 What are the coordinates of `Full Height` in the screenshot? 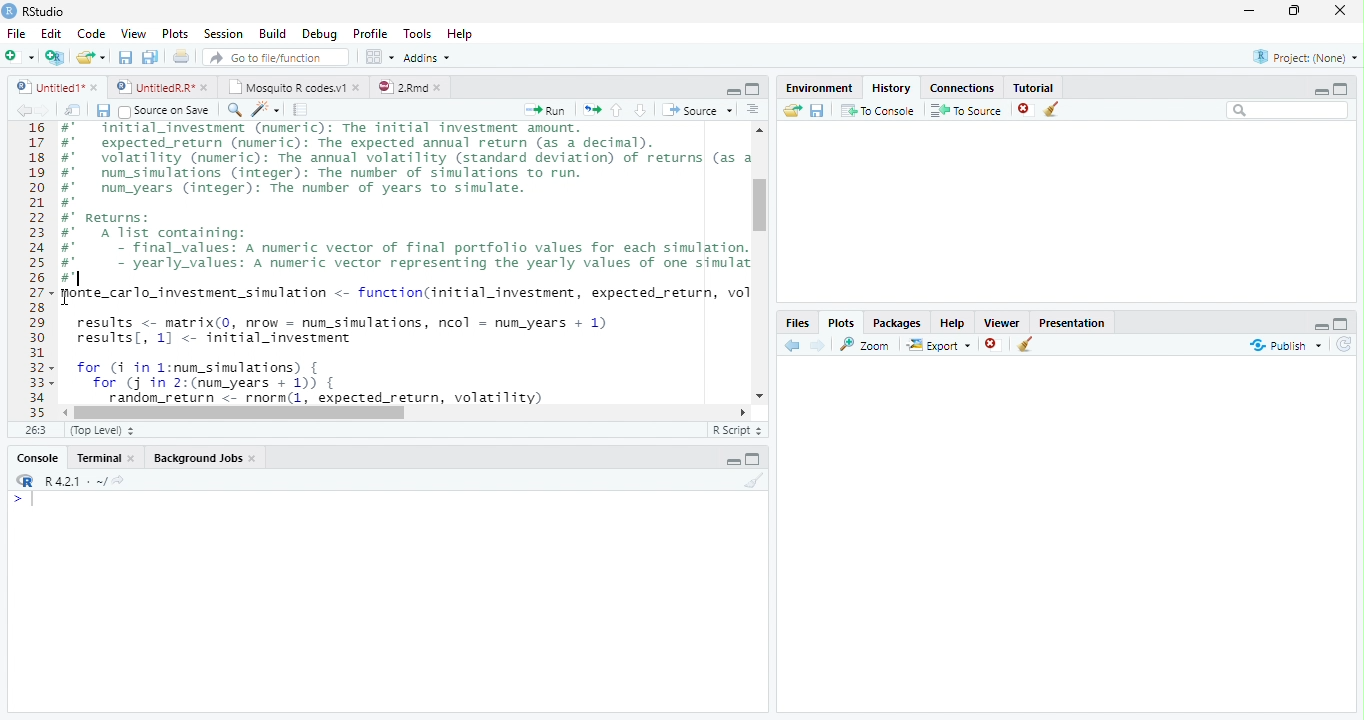 It's located at (754, 88).